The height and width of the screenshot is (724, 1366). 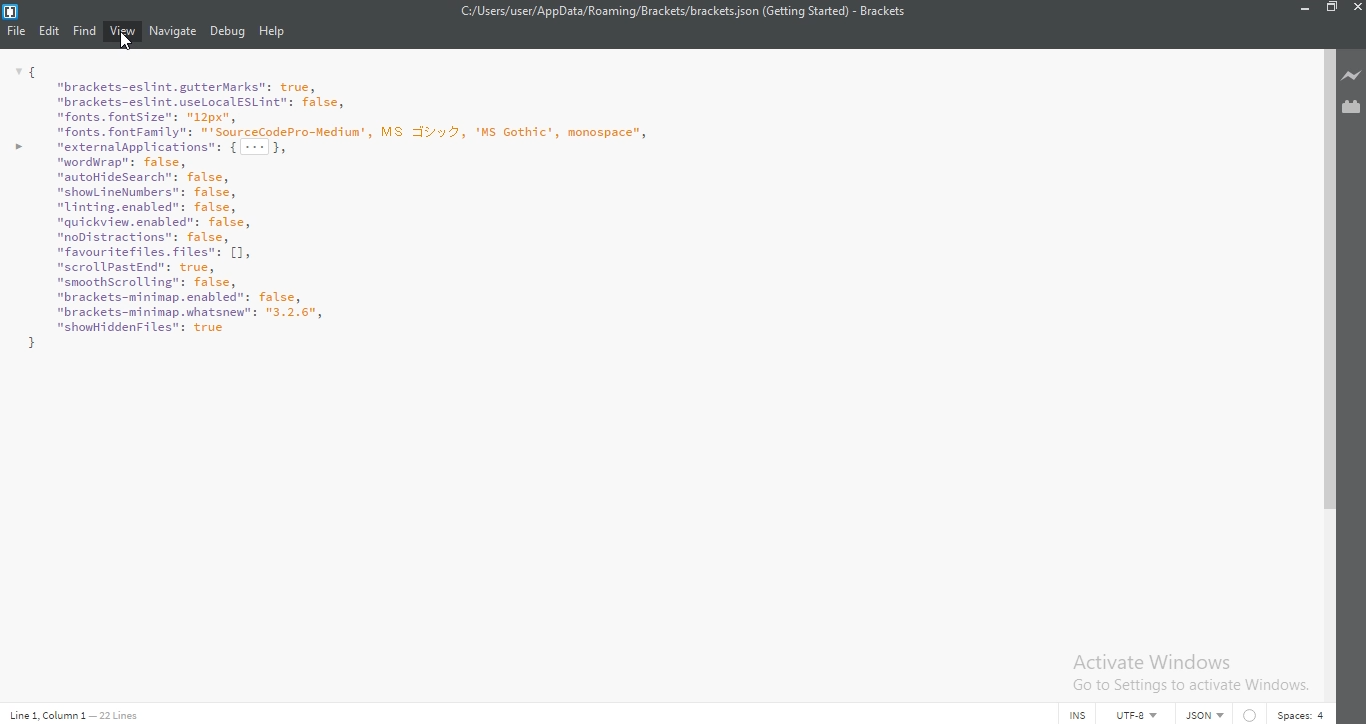 I want to click on Live preview, so click(x=1353, y=74).